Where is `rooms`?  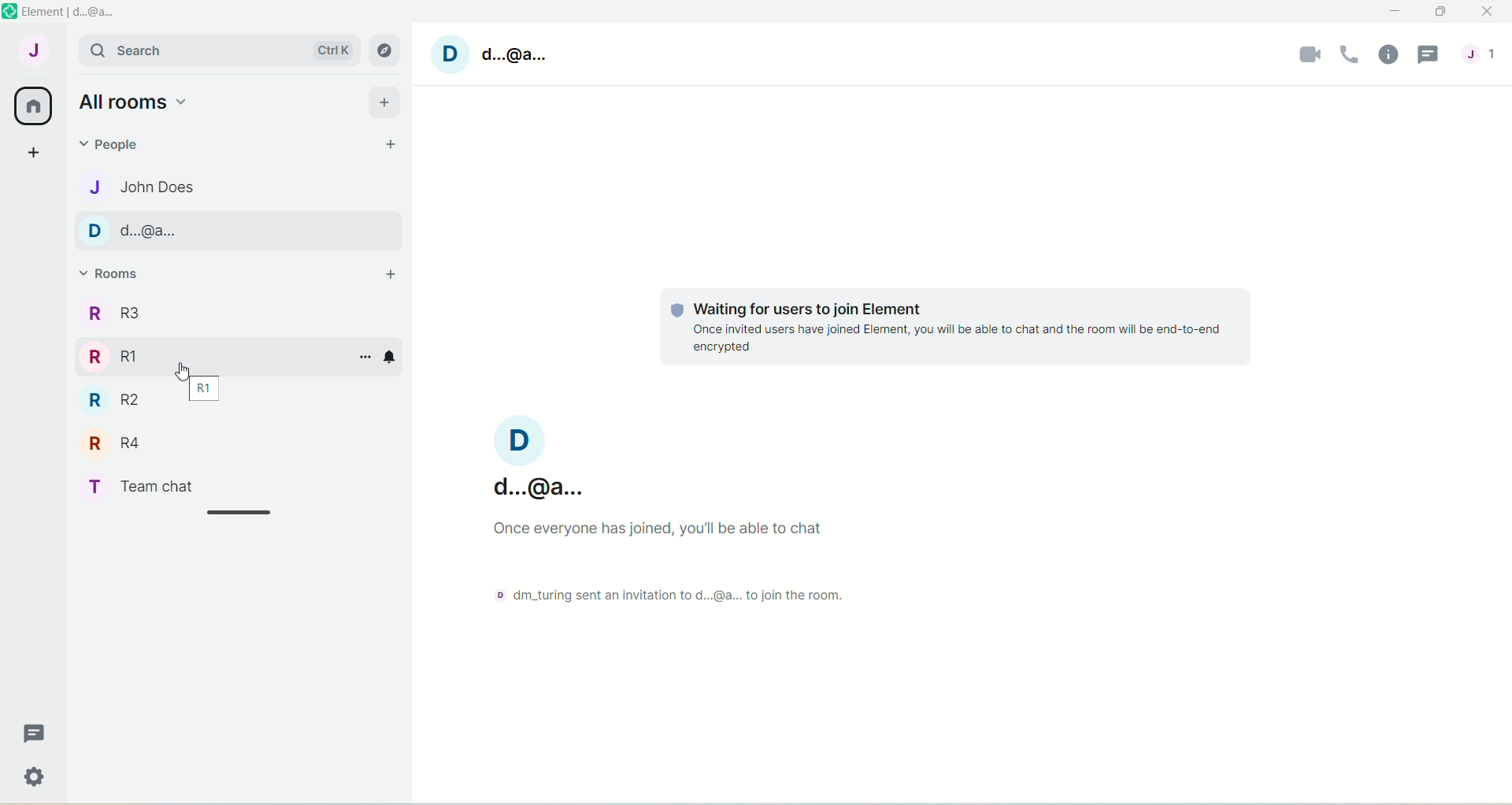 rooms is located at coordinates (115, 270).